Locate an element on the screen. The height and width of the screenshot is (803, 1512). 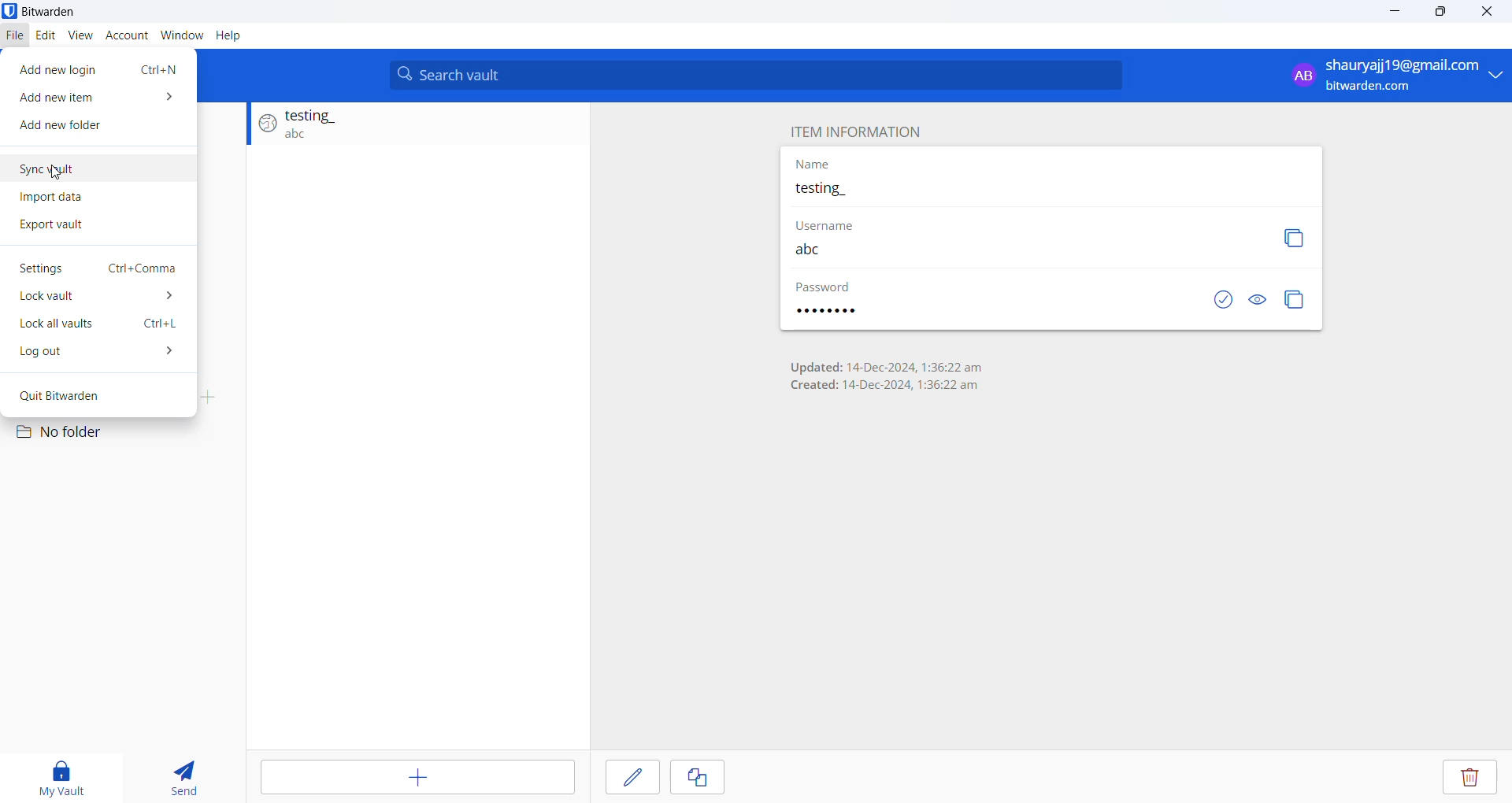
Copy password is located at coordinates (1296, 300).